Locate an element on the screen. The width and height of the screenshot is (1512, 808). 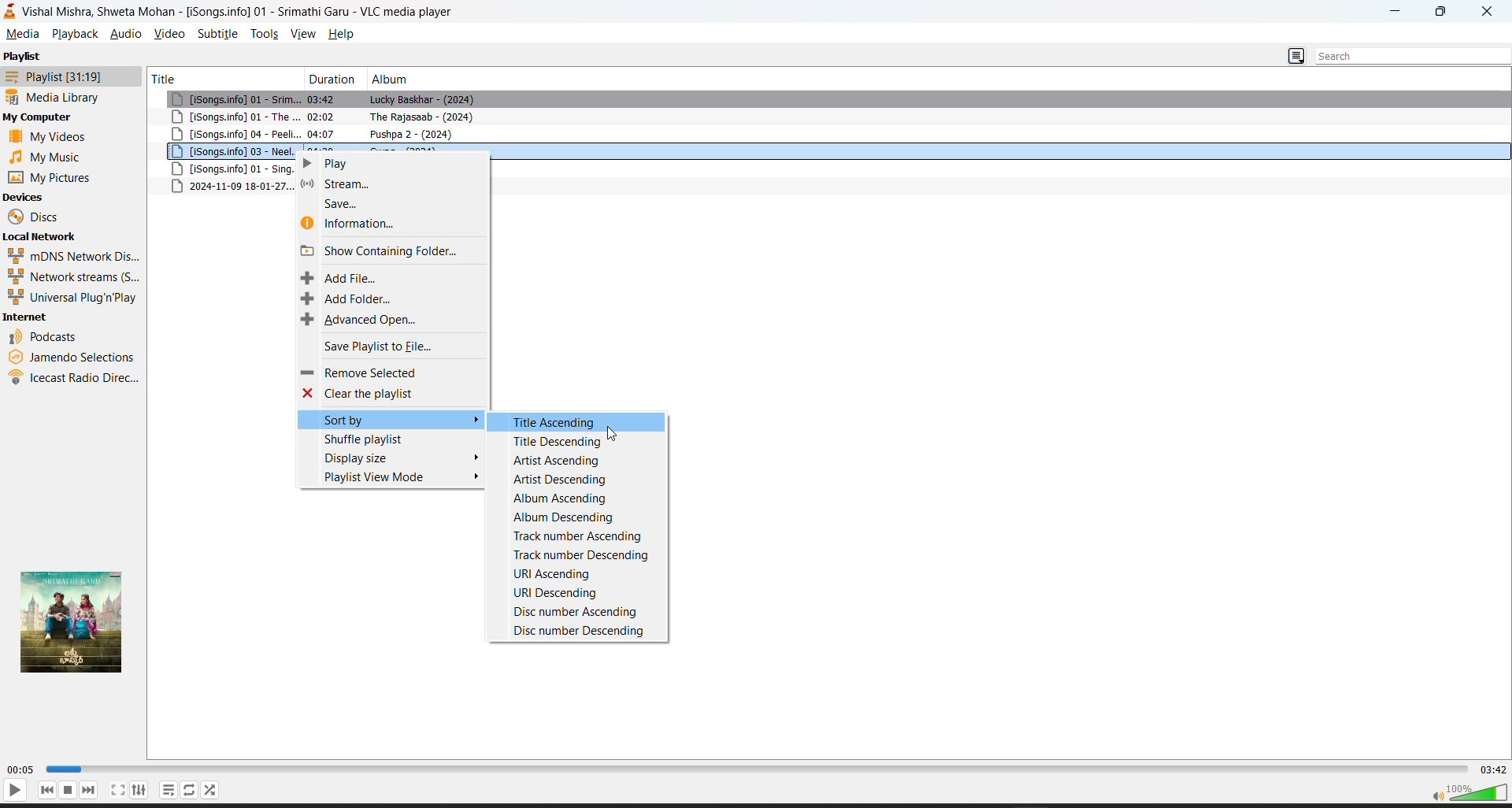
audio is located at coordinates (128, 32).